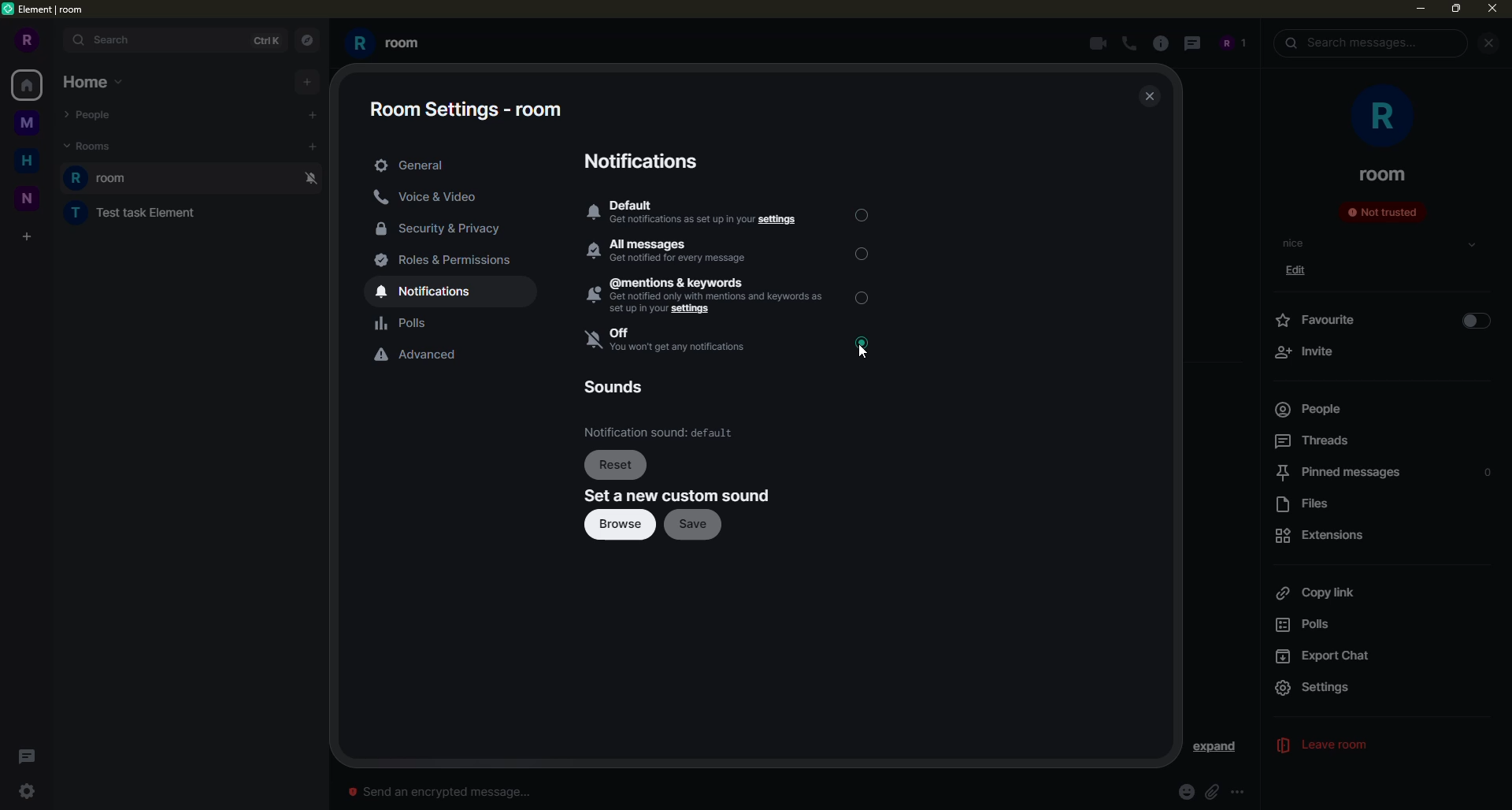 This screenshot has height=810, width=1512. What do you see at coordinates (1336, 473) in the screenshot?
I see `pinned messages` at bounding box center [1336, 473].